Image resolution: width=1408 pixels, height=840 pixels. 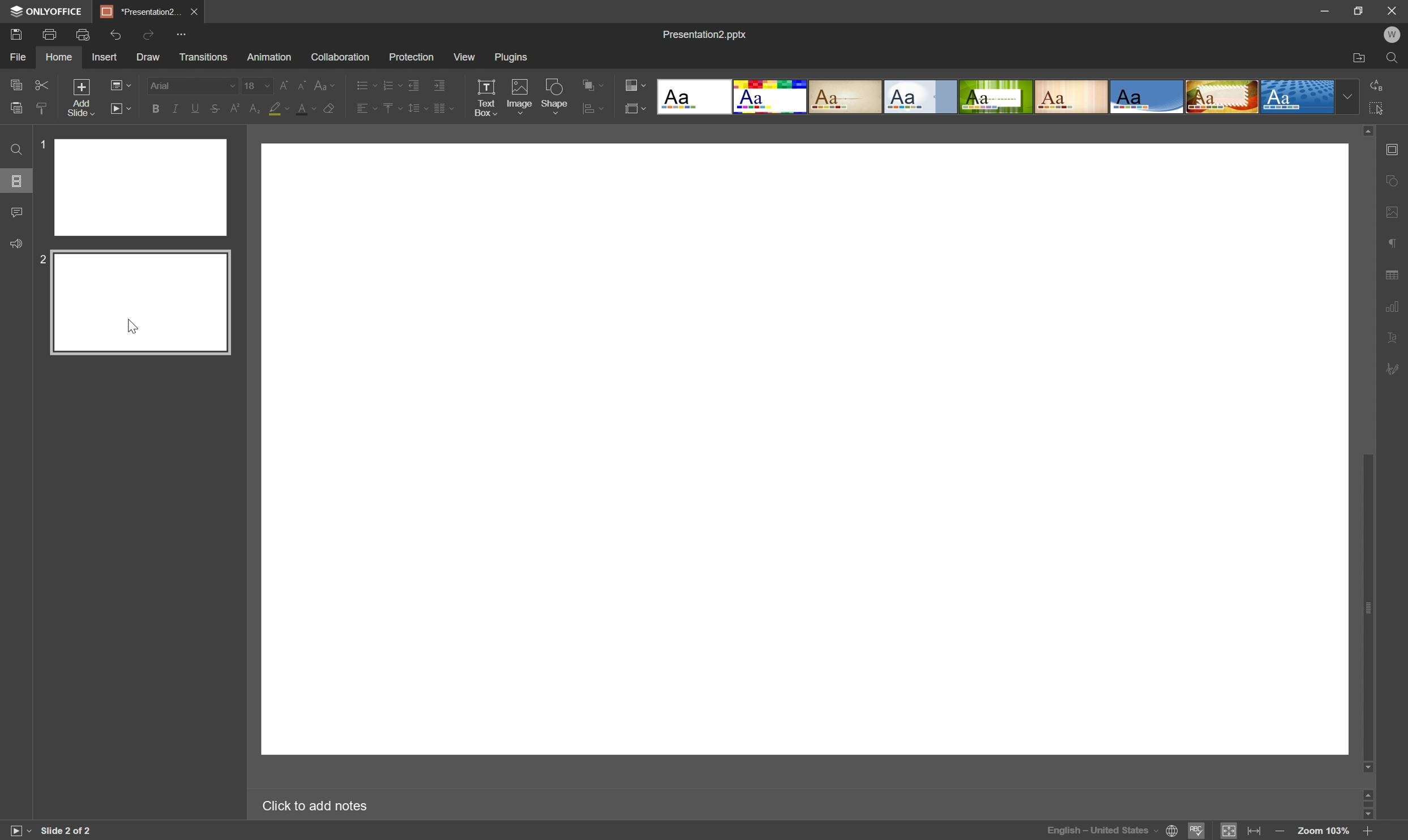 I want to click on Home, so click(x=61, y=58).